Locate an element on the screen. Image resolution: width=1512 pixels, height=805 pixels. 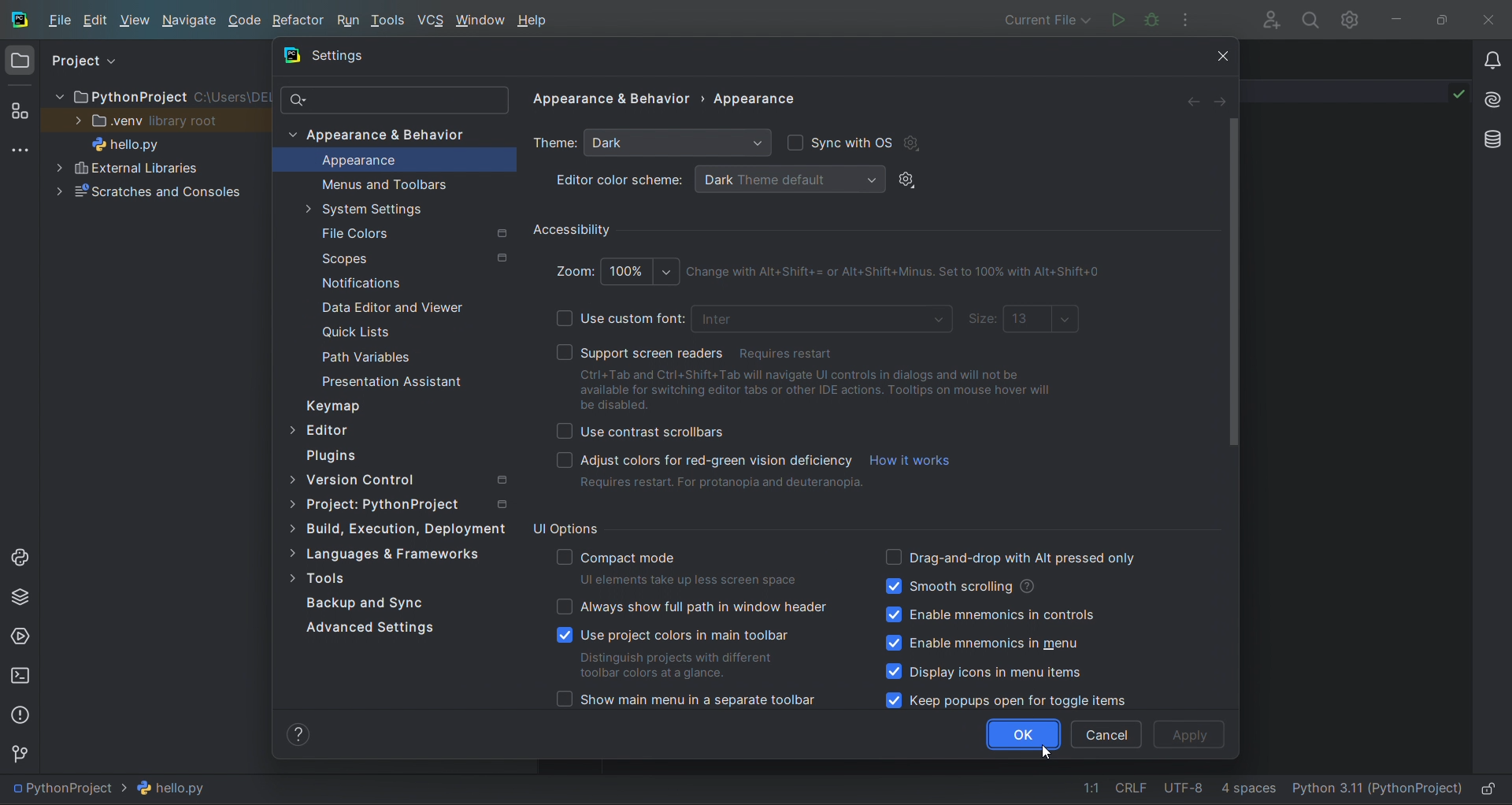
debug is located at coordinates (1154, 18).